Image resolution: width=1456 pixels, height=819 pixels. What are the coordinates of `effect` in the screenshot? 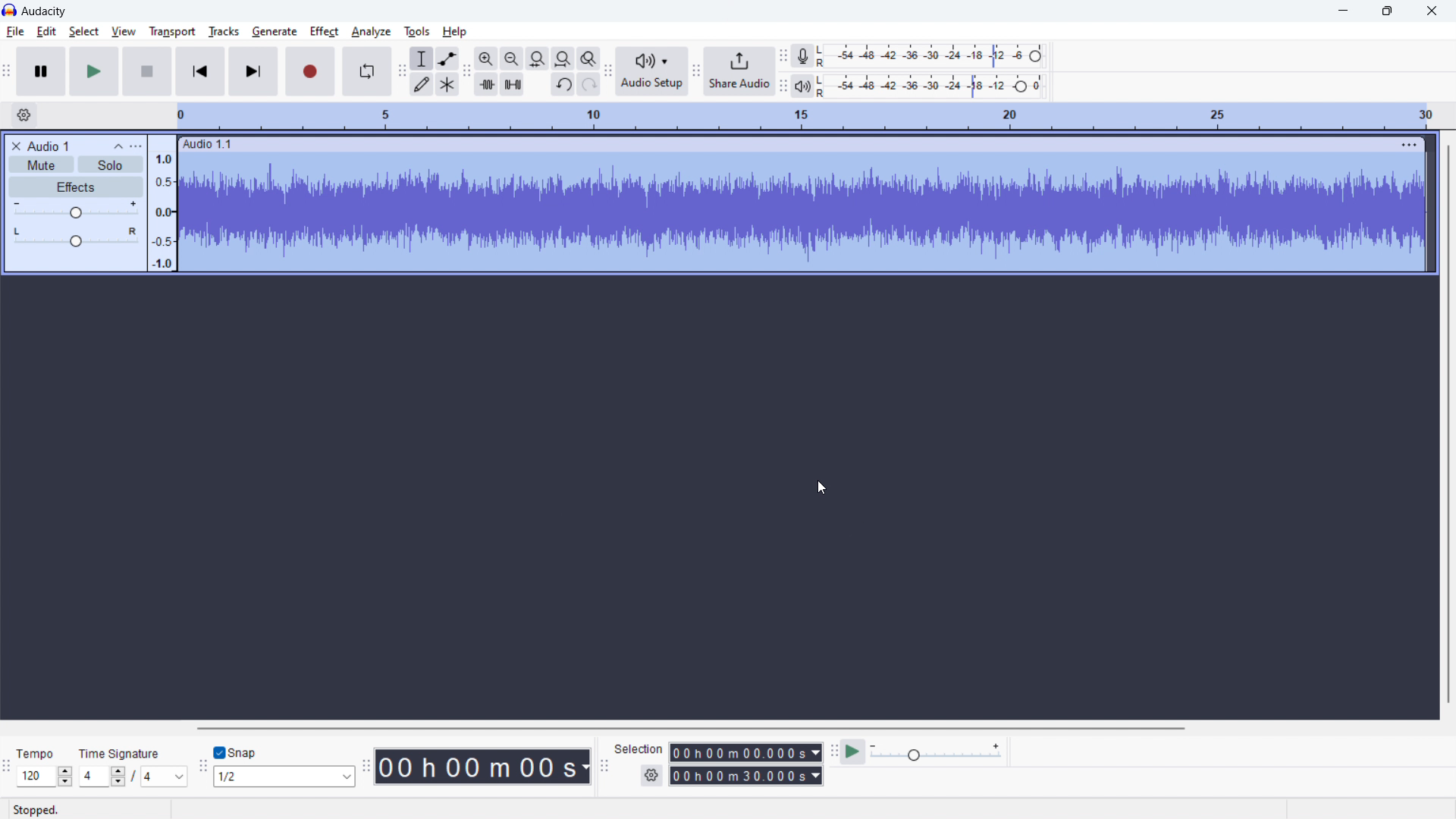 It's located at (324, 32).